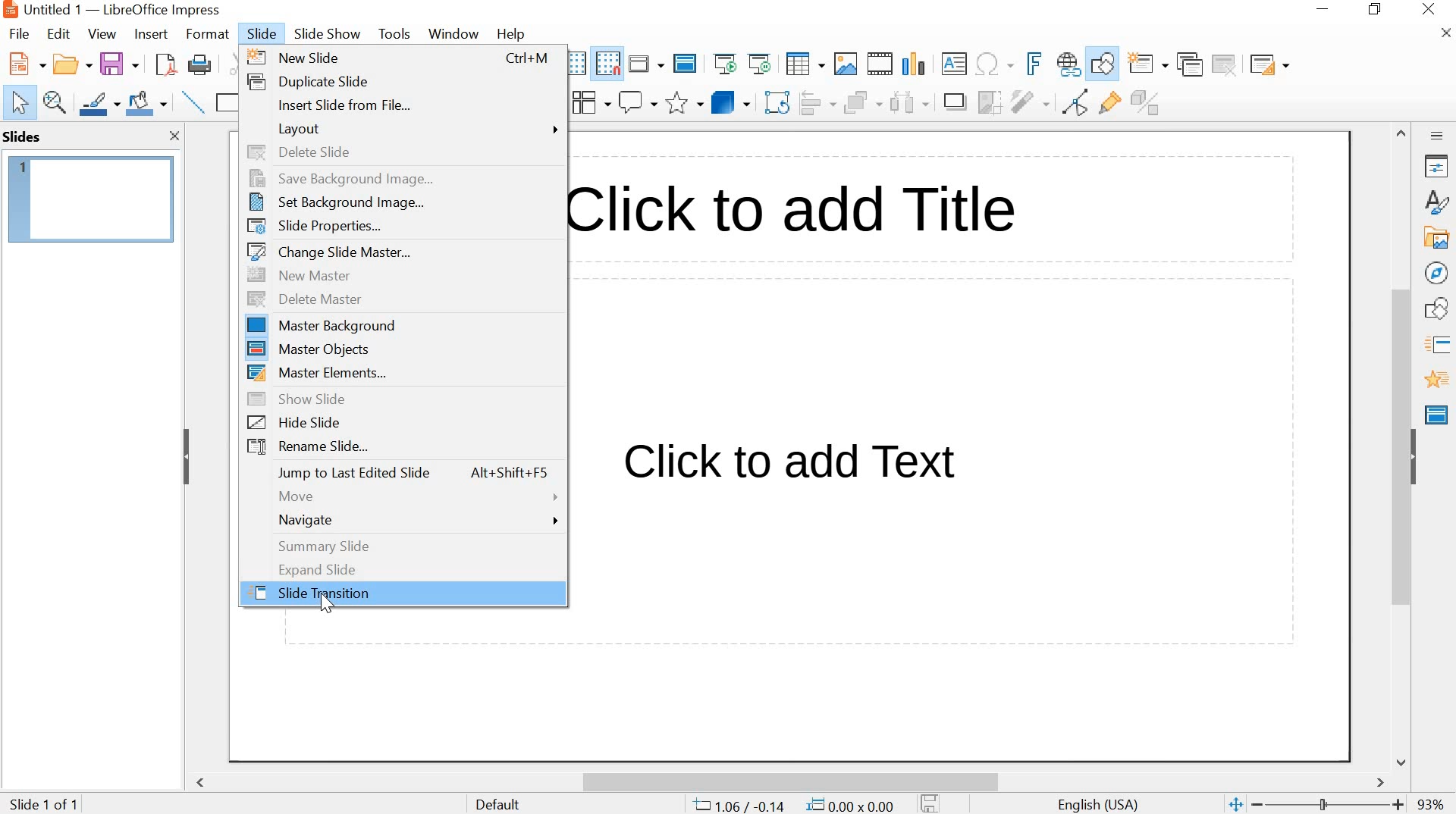 The image size is (1456, 814). What do you see at coordinates (913, 62) in the screenshot?
I see `Insert chart` at bounding box center [913, 62].